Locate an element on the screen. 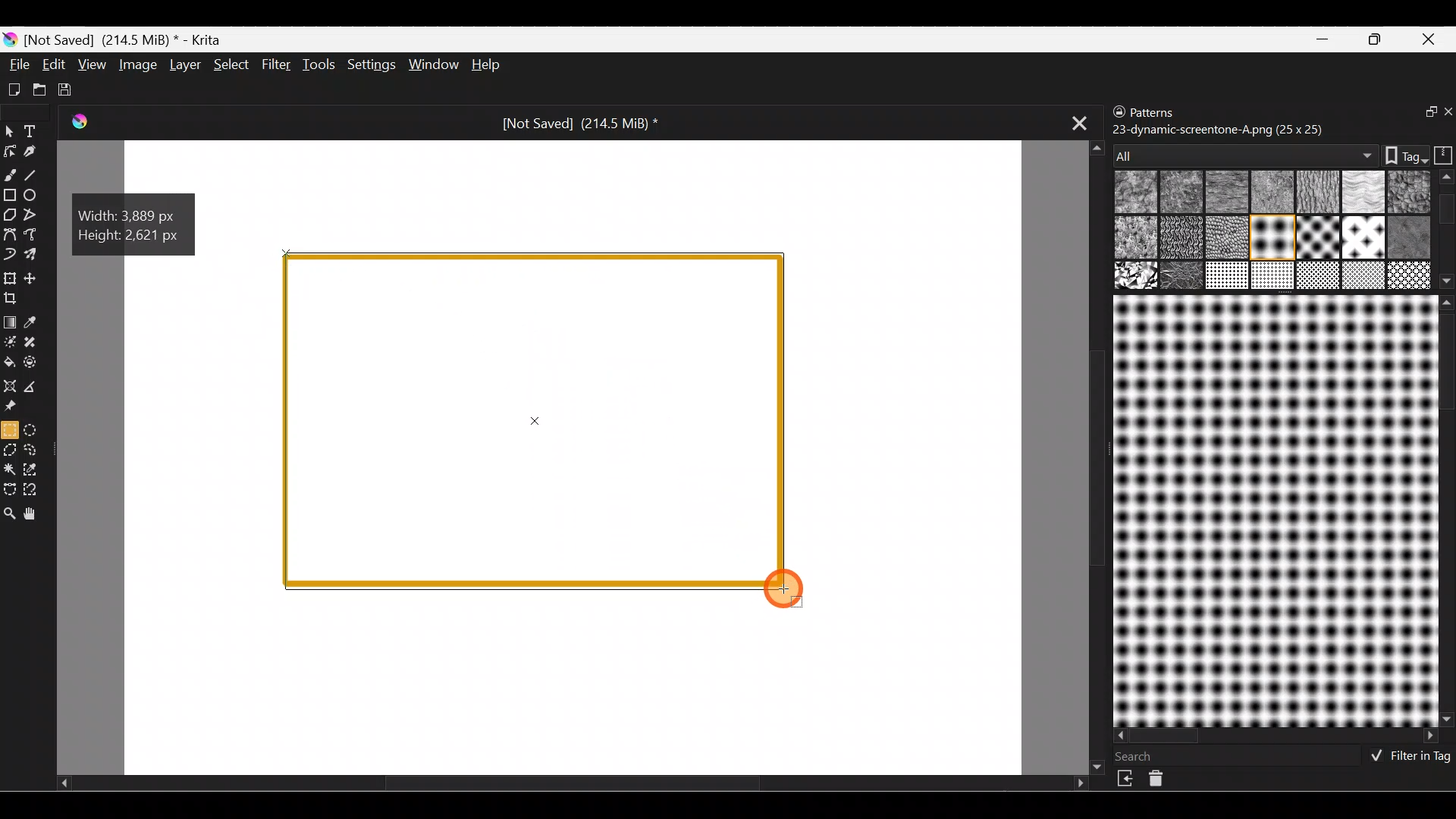 The height and width of the screenshot is (819, 1456). Minimize is located at coordinates (1324, 39).